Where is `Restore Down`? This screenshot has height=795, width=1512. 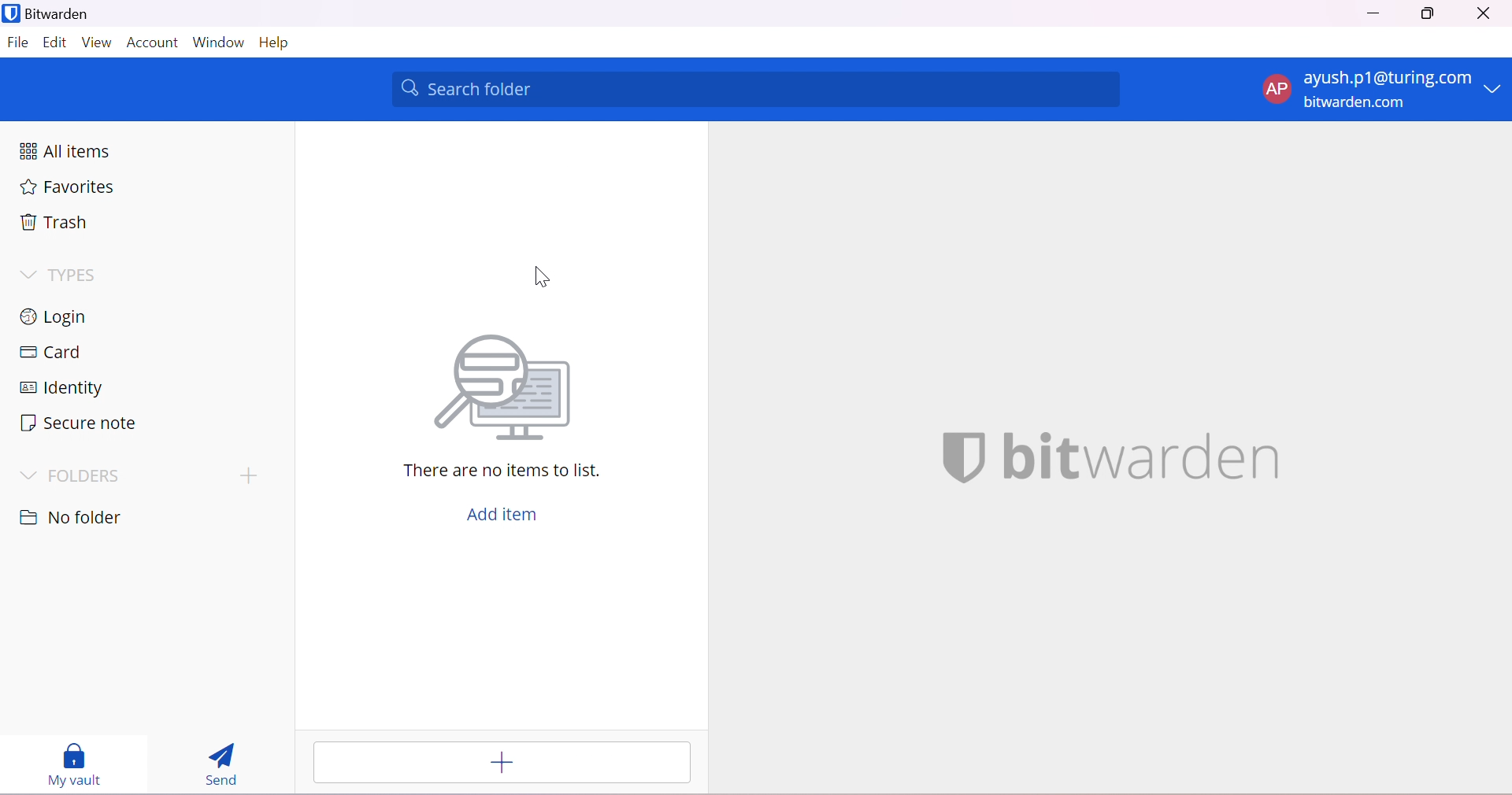
Restore Down is located at coordinates (1429, 15).